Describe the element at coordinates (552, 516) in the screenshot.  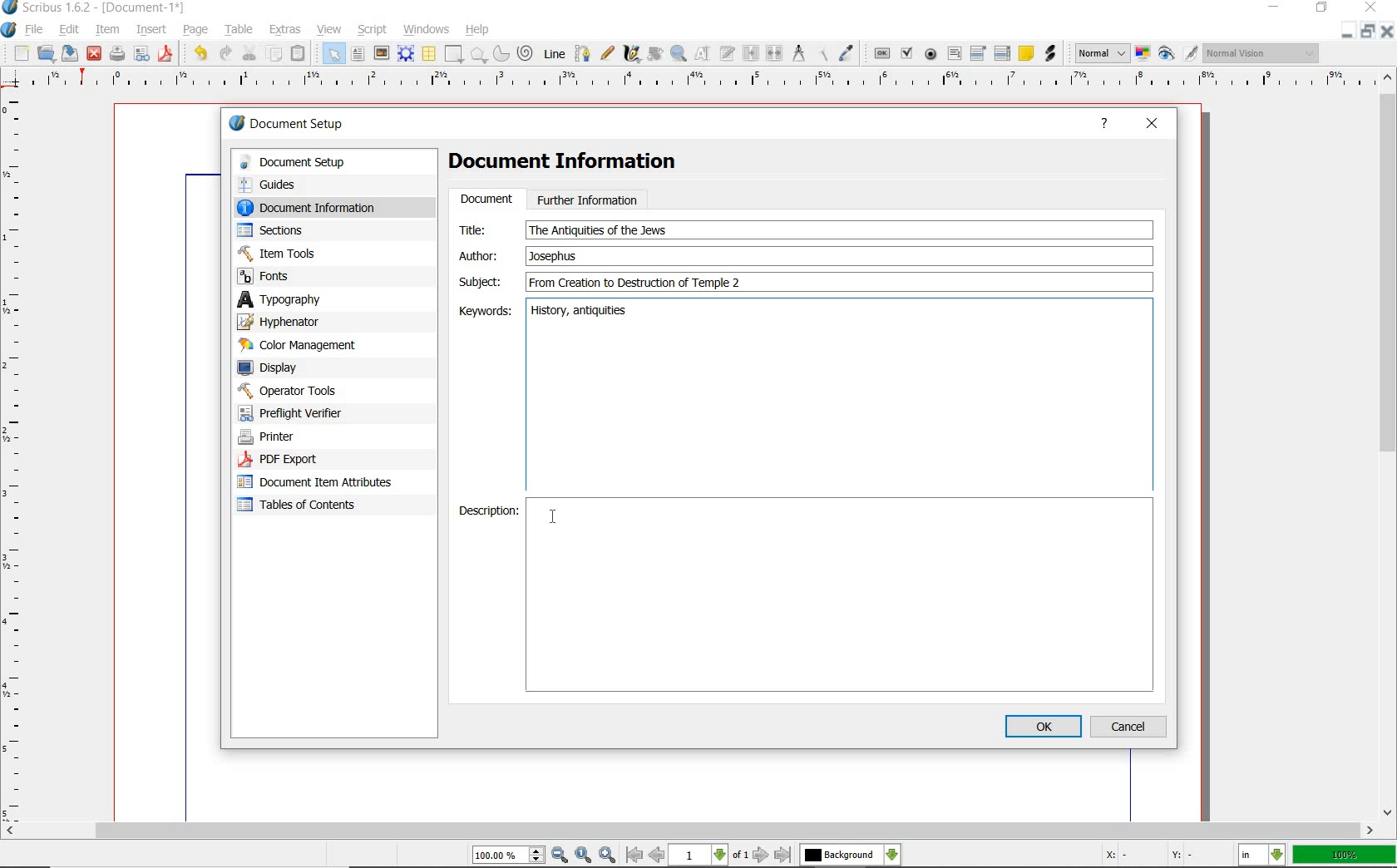
I see `cursor` at that location.